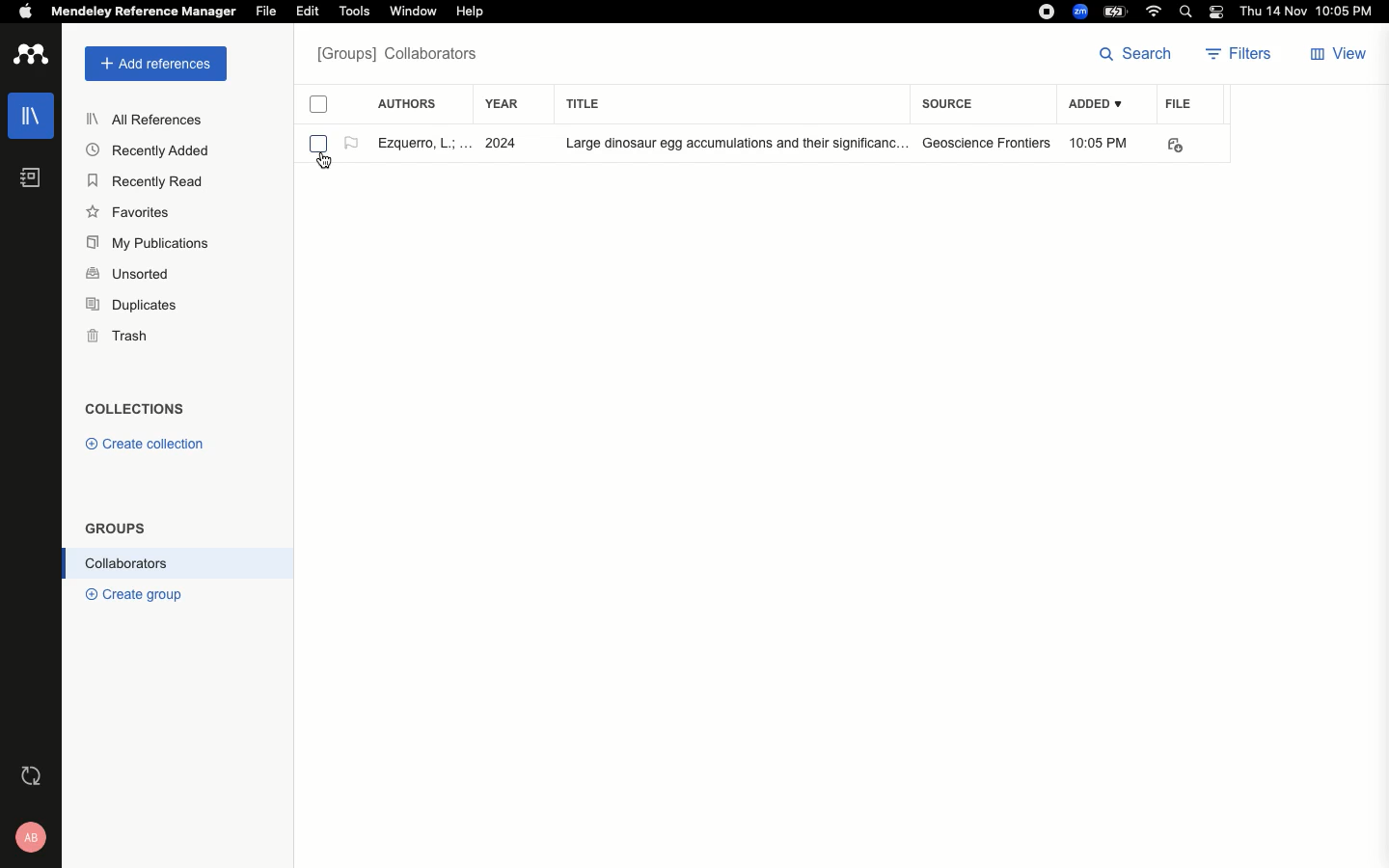  What do you see at coordinates (308, 11) in the screenshot?
I see `Edit` at bounding box center [308, 11].